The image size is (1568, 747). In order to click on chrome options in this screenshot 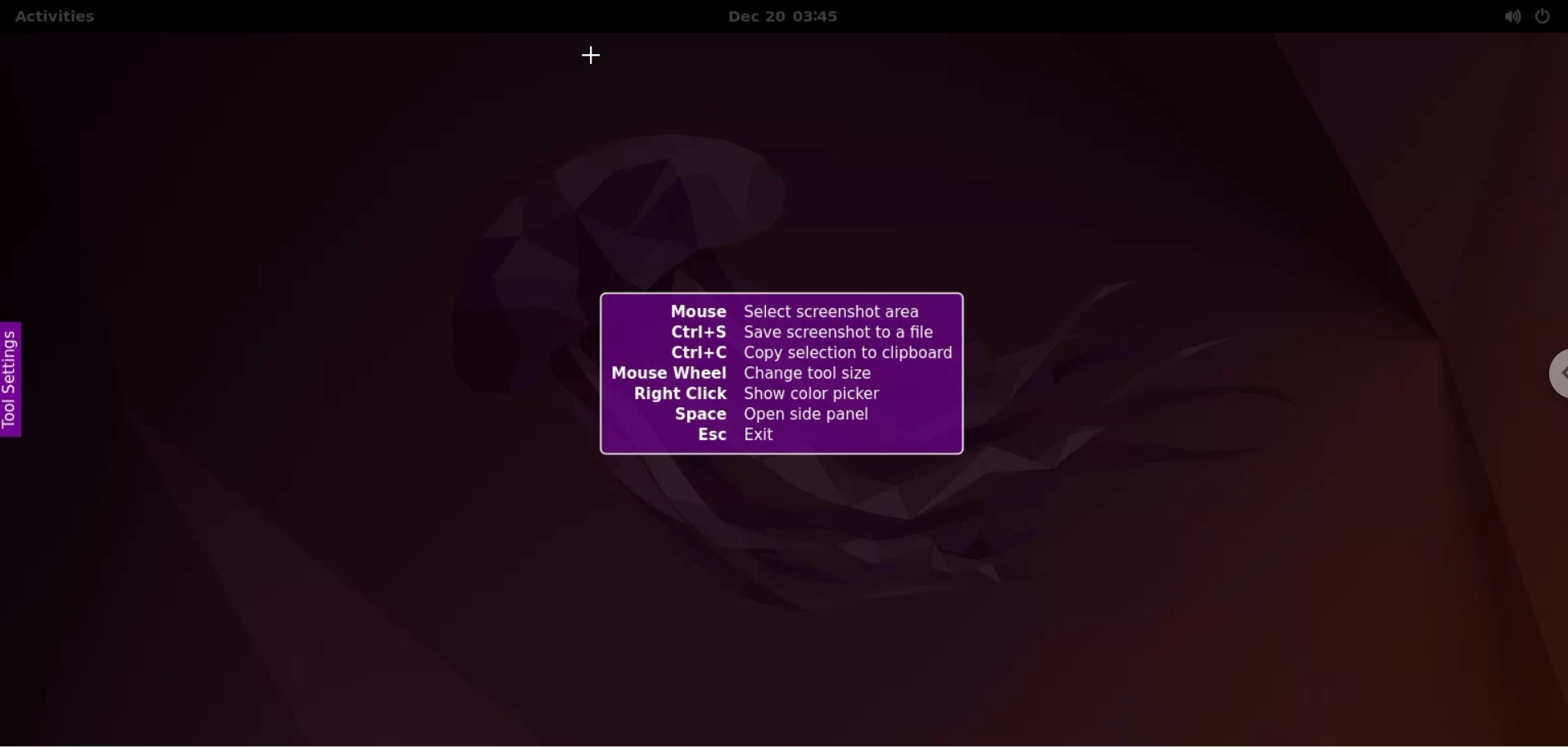, I will do `click(1548, 378)`.